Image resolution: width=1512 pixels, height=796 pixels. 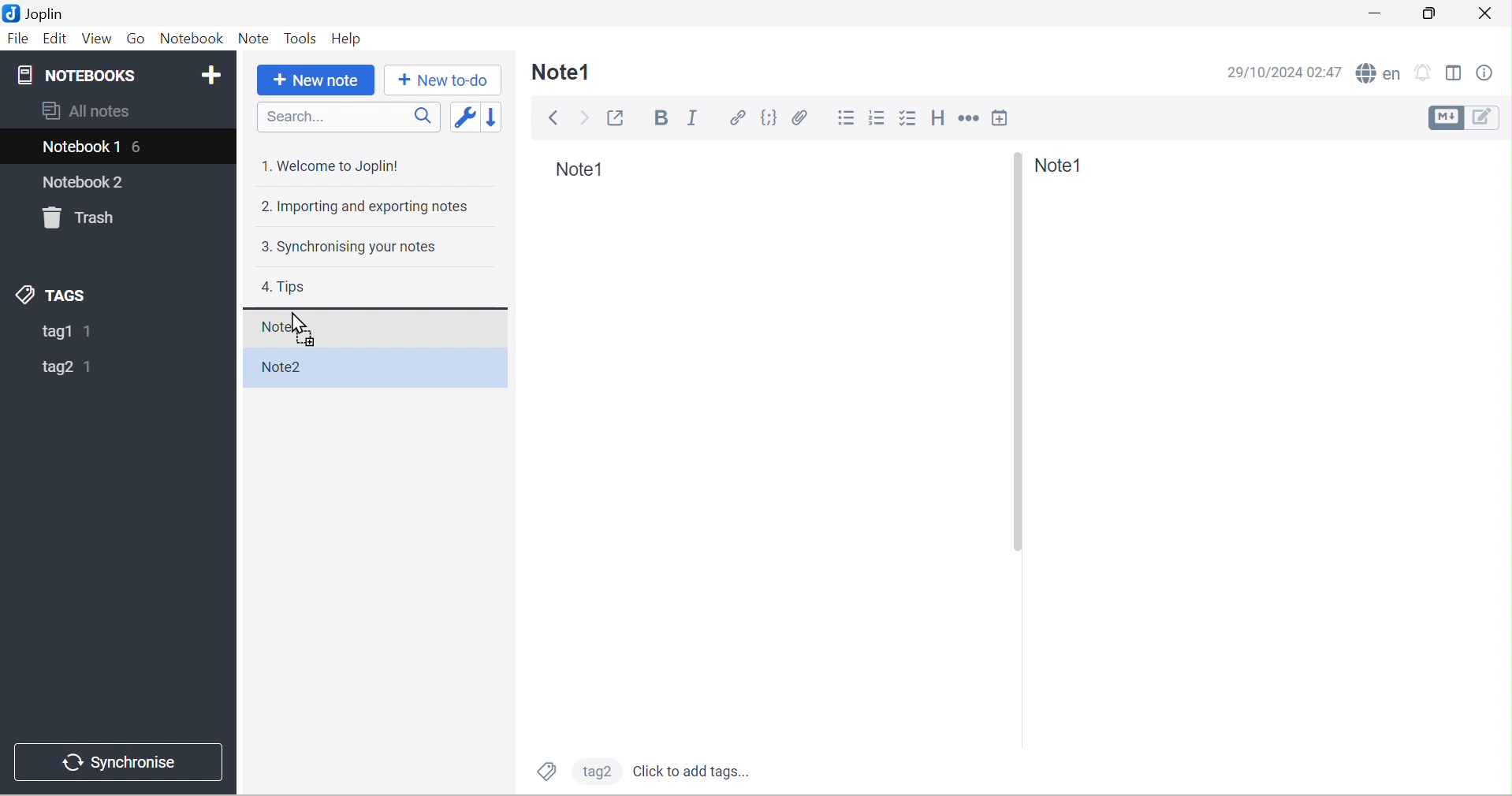 I want to click on 3. Synchronising your notes, so click(x=348, y=251).